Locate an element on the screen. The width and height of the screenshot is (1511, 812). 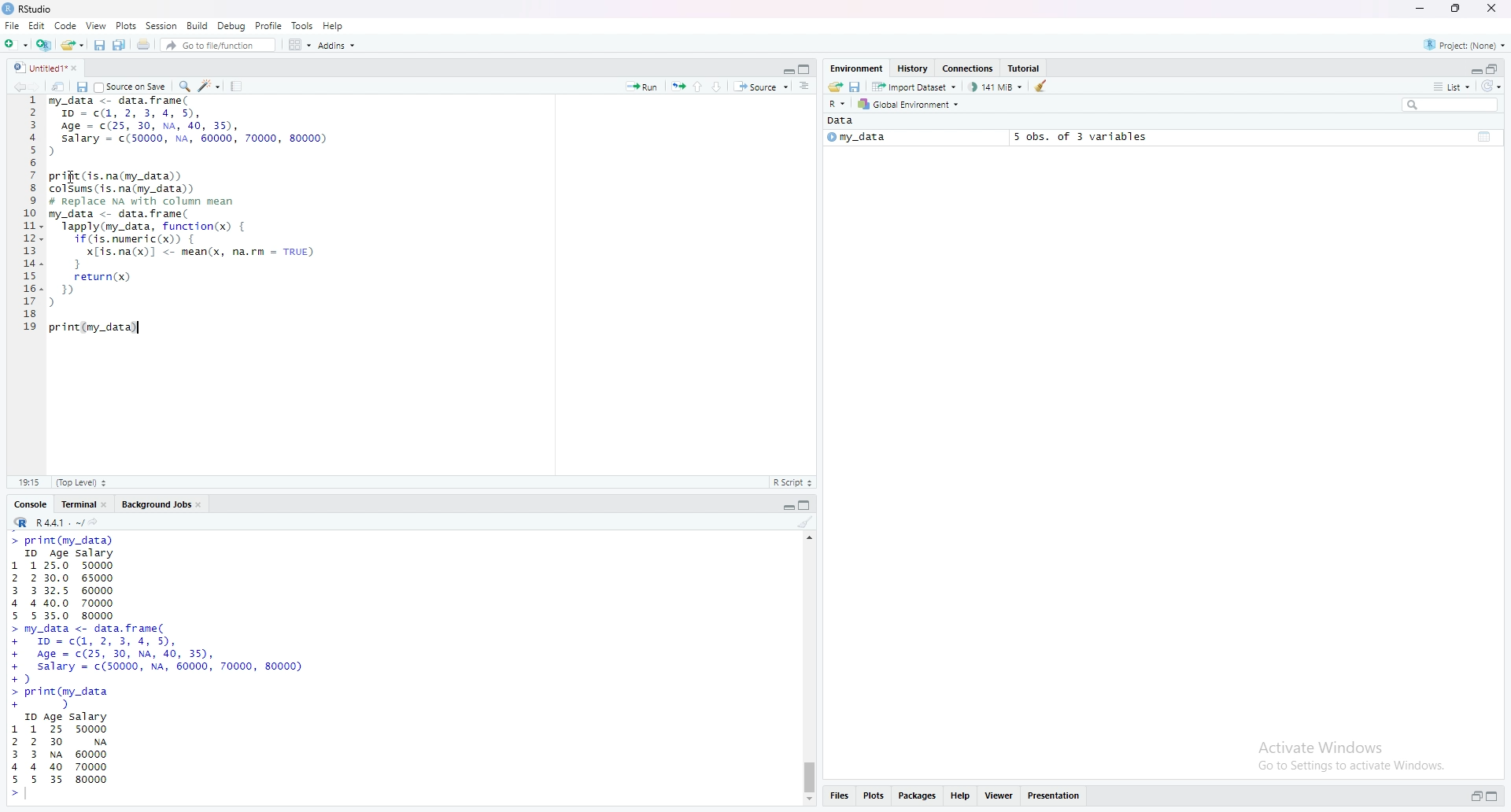
Background jobs is located at coordinates (164, 506).